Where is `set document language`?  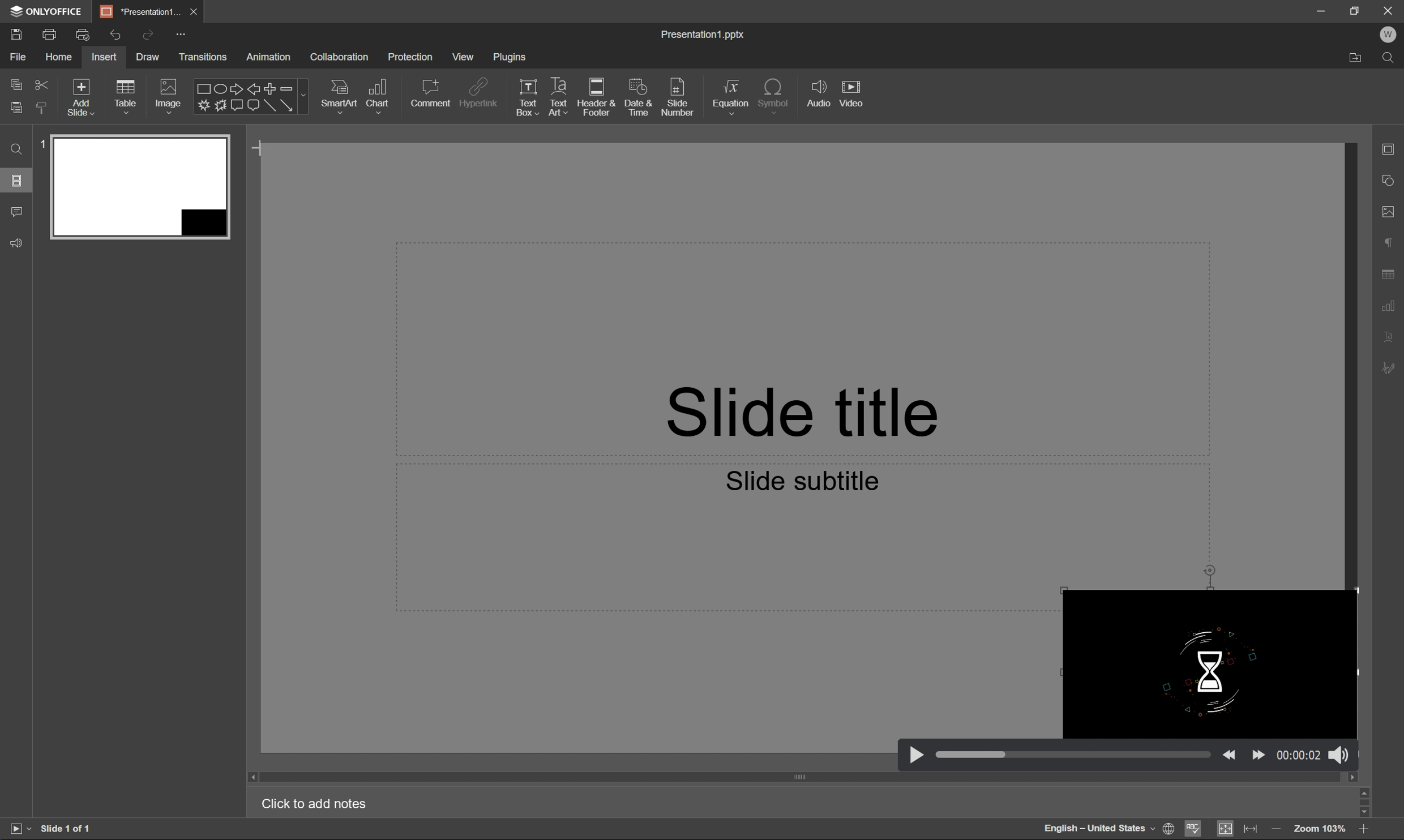
set document language is located at coordinates (1169, 828).